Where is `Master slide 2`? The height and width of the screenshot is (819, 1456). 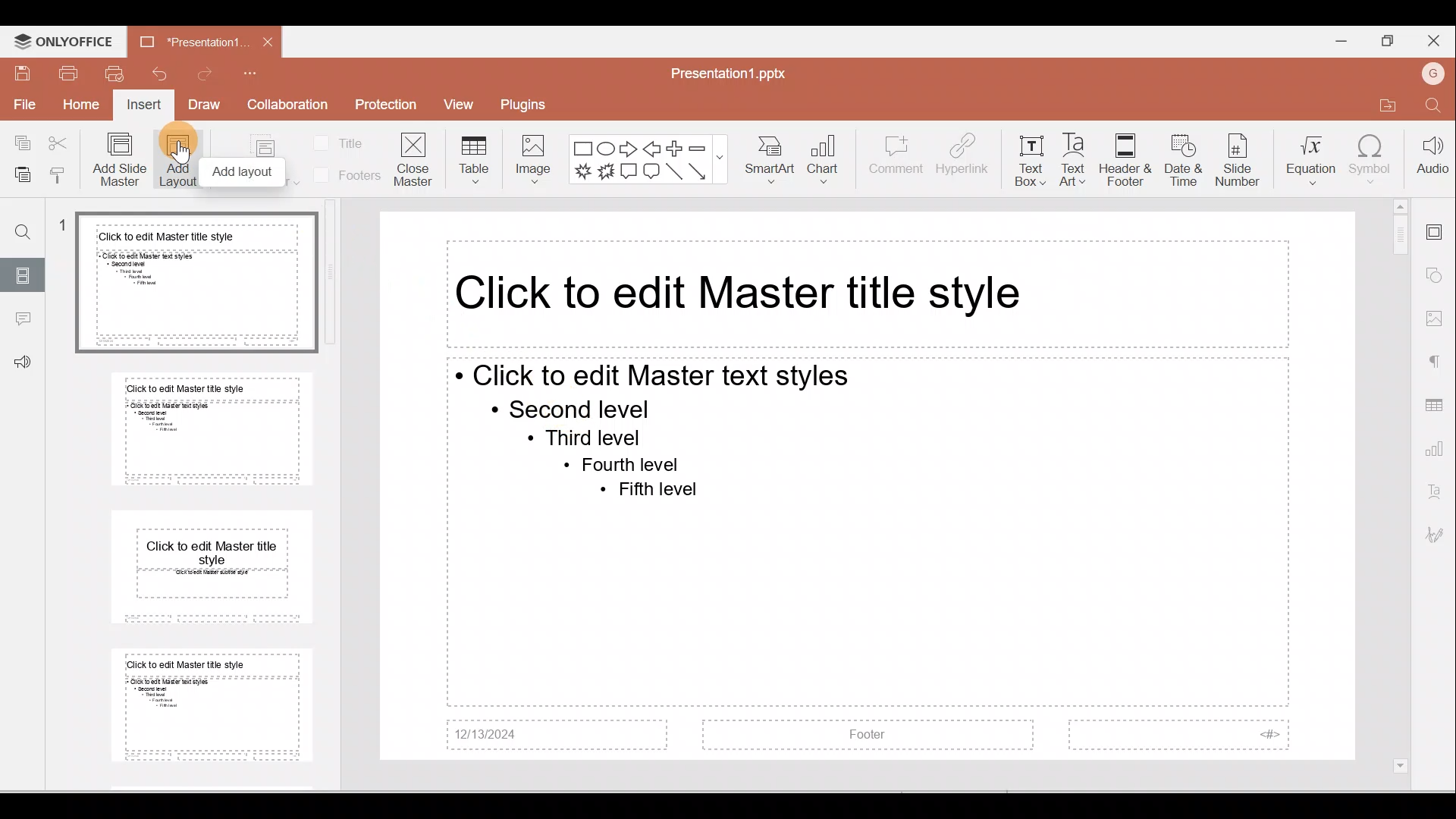 Master slide 2 is located at coordinates (213, 428).